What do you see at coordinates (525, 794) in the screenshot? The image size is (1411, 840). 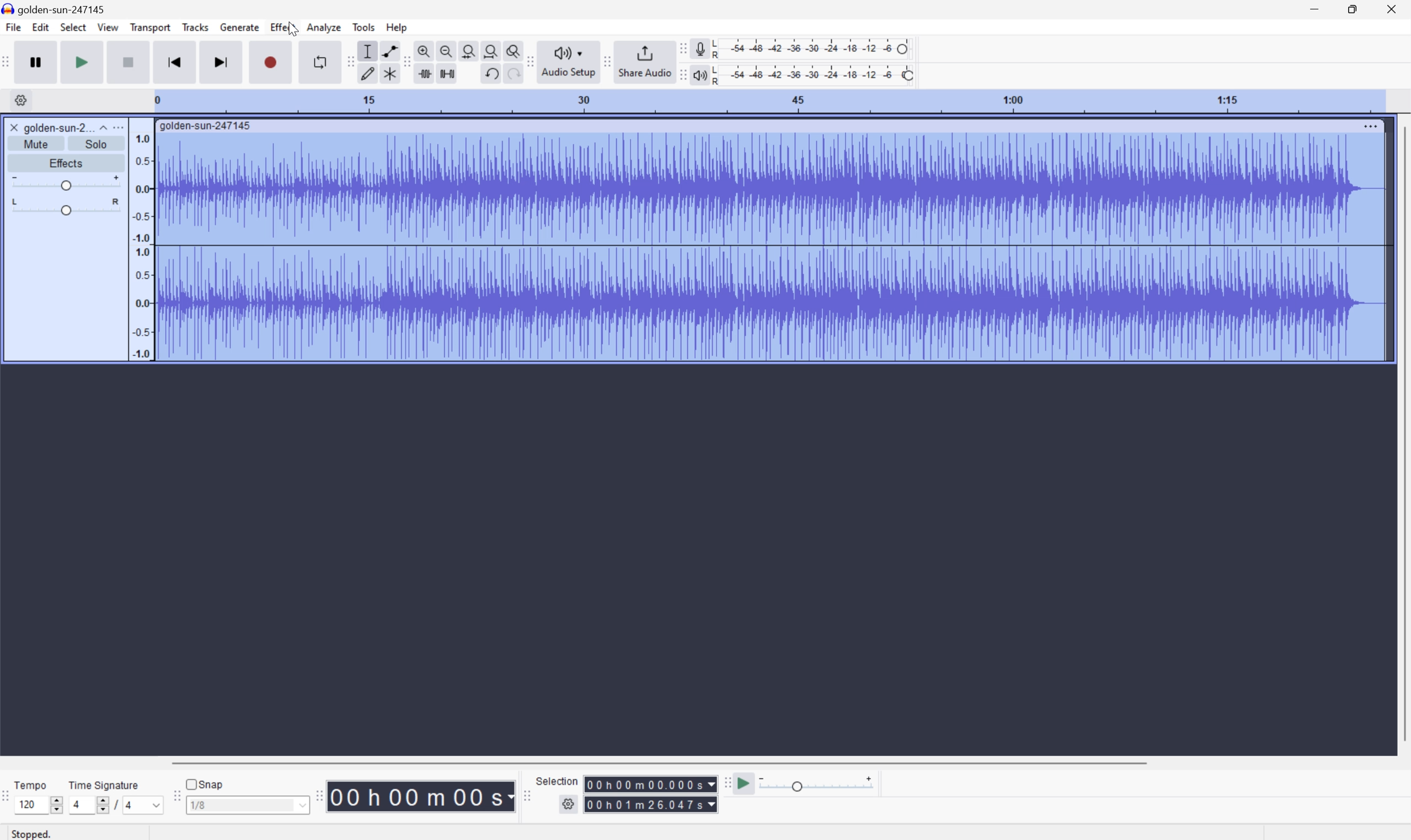 I see `Audacity selection toolbar` at bounding box center [525, 794].